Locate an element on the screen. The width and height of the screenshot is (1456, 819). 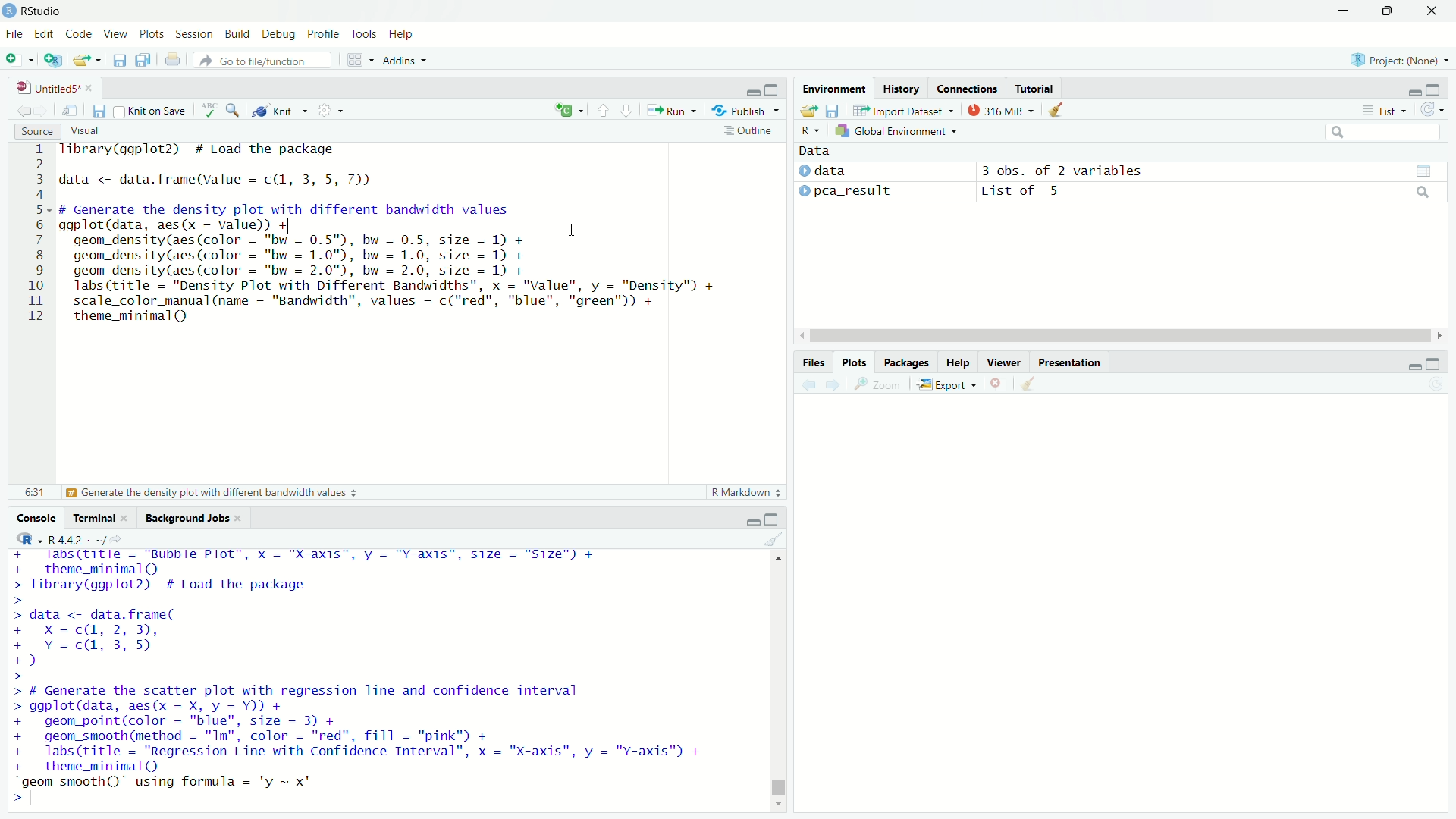
insert a new code/chunk is located at coordinates (569, 110).